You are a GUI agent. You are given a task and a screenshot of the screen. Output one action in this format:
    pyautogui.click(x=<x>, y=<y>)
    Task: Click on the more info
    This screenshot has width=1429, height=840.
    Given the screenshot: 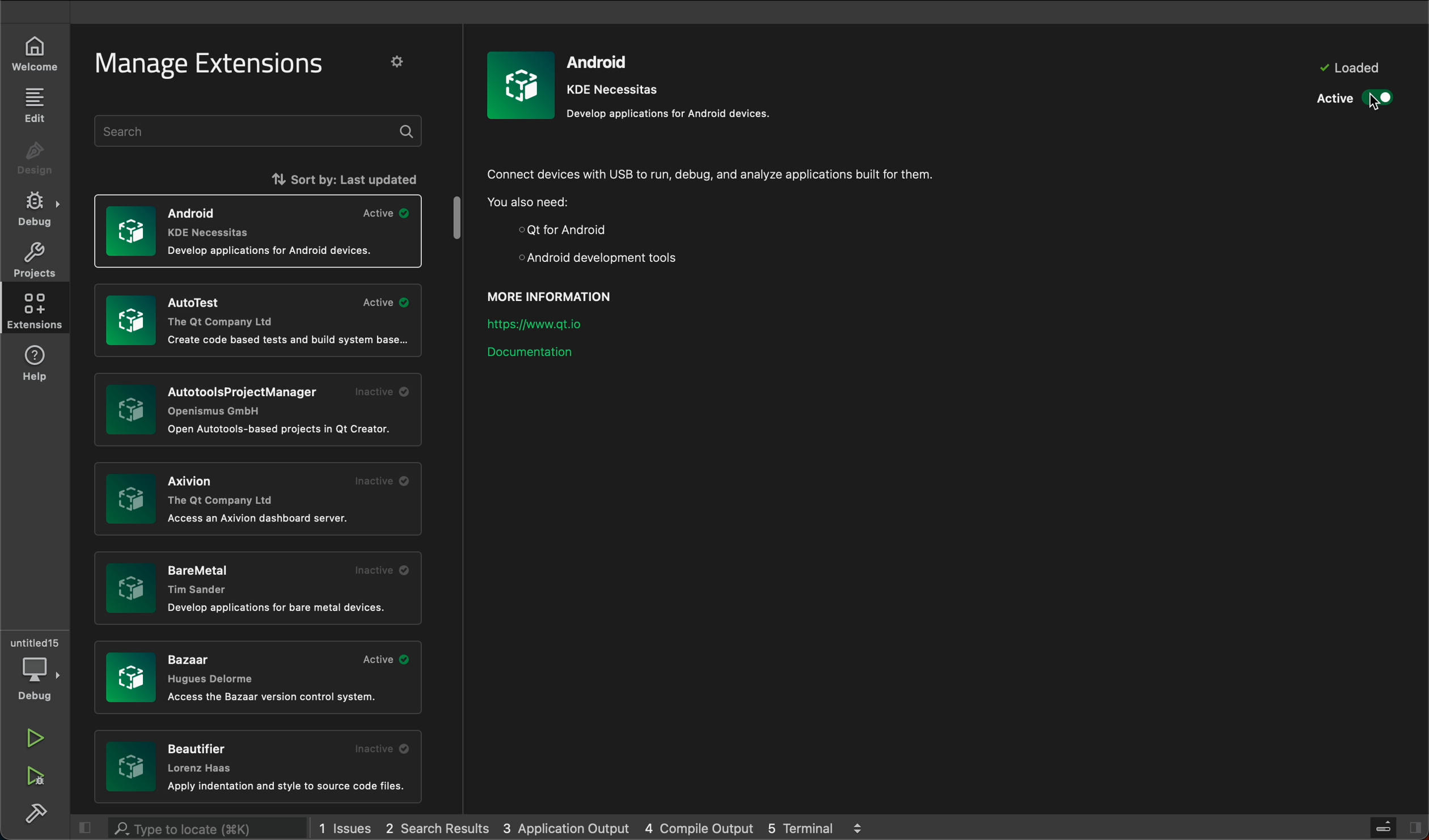 What is the action you would take?
    pyautogui.click(x=563, y=293)
    